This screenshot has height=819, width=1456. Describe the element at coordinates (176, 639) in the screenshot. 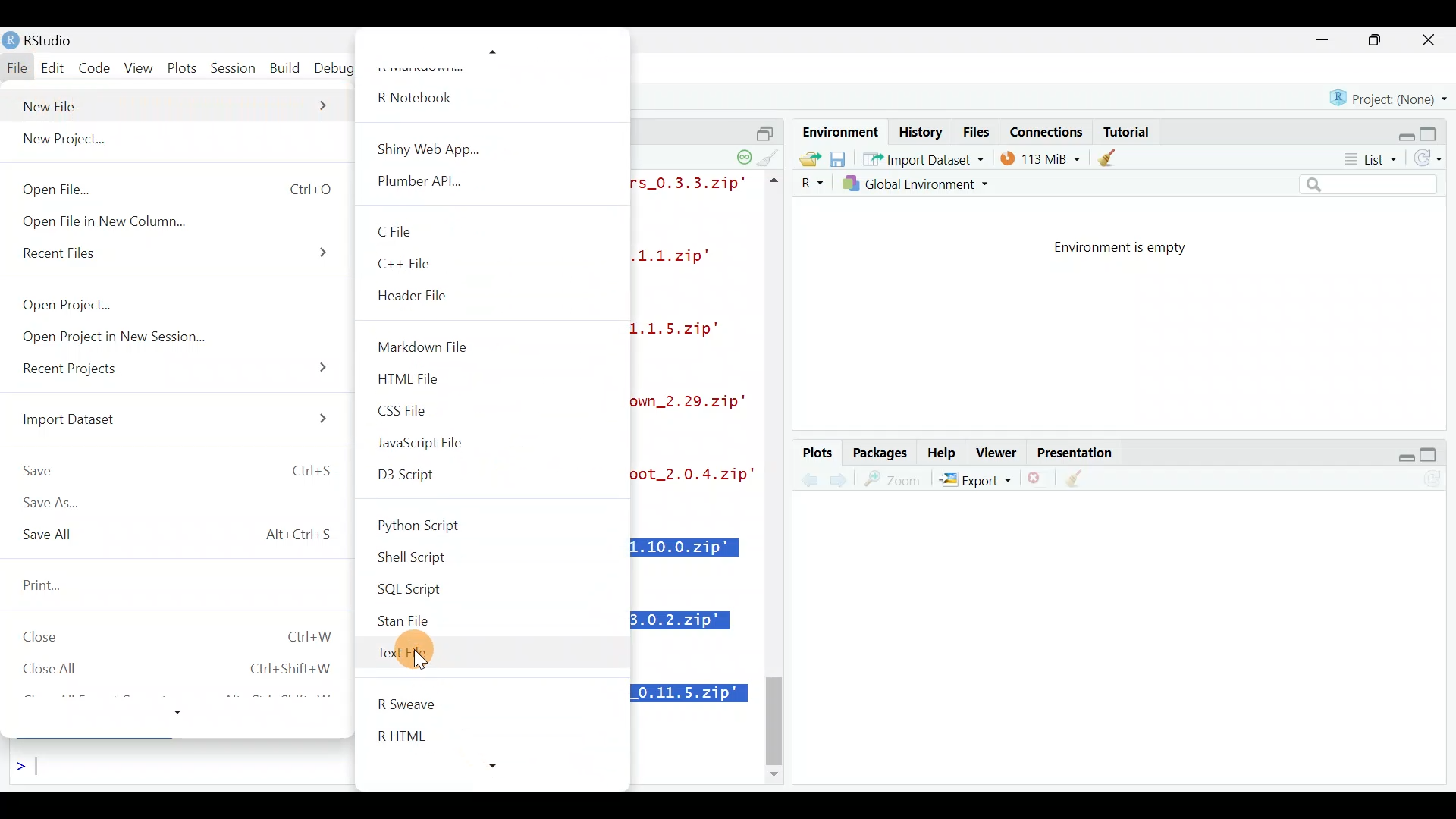

I see `Close Ctrl+w` at that location.